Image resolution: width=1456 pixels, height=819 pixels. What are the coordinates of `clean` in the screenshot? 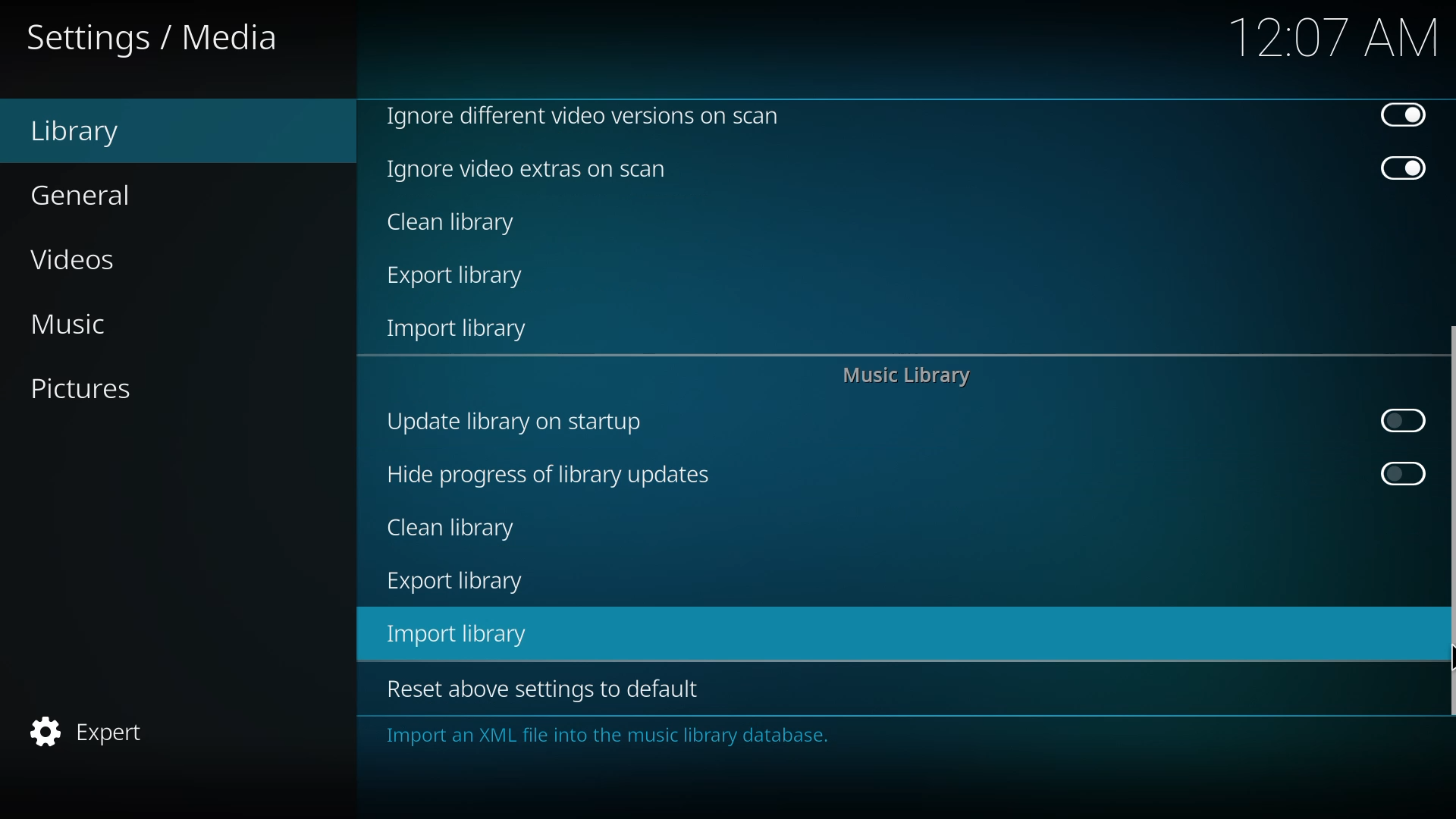 It's located at (453, 224).